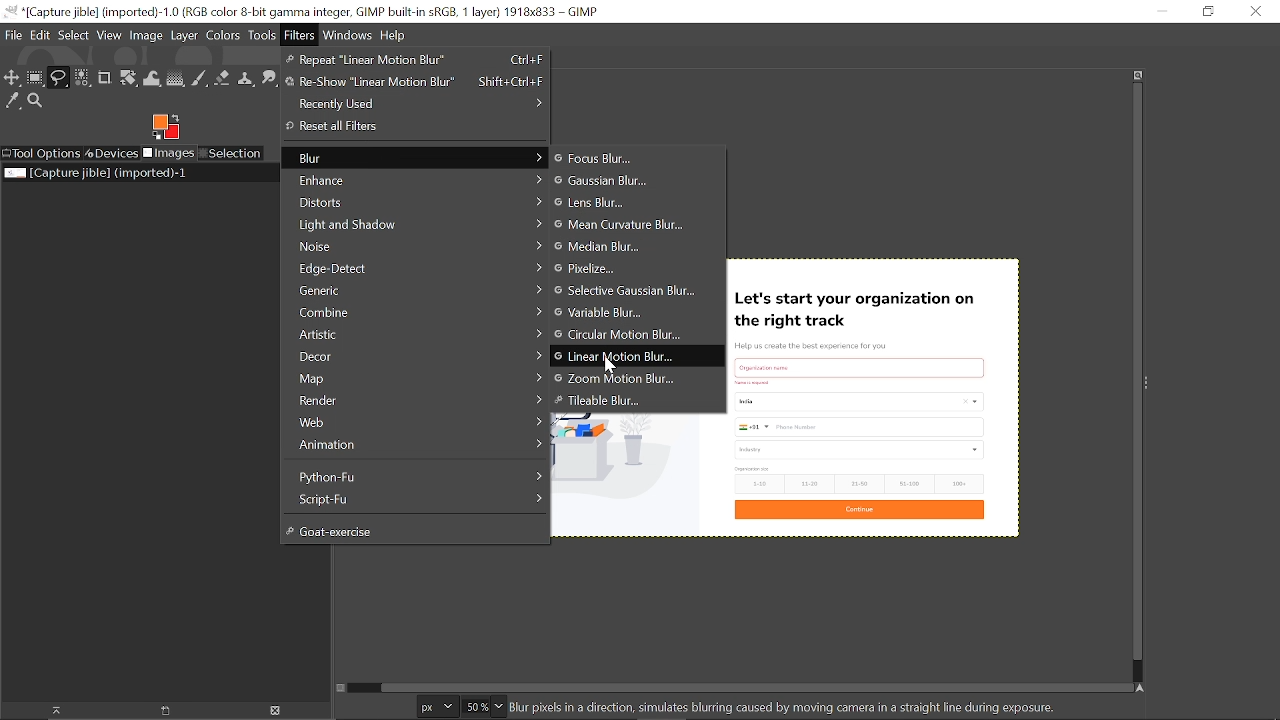  Describe the element at coordinates (74, 35) in the screenshot. I see `Select` at that location.